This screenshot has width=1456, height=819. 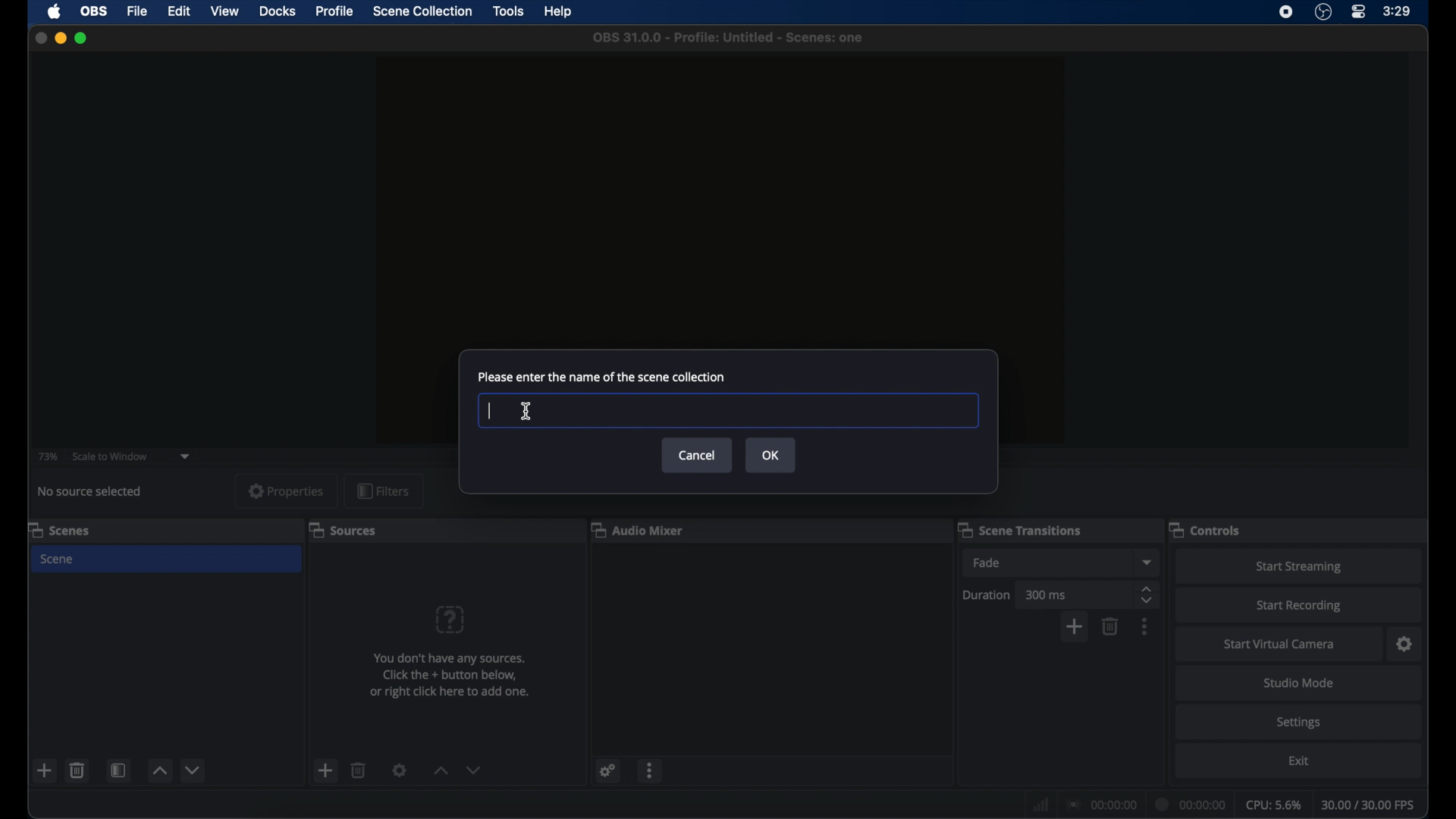 What do you see at coordinates (732, 38) in the screenshot?
I see `oBS 31.0.0 - Profile: Untitled - Scenes: one` at bounding box center [732, 38].